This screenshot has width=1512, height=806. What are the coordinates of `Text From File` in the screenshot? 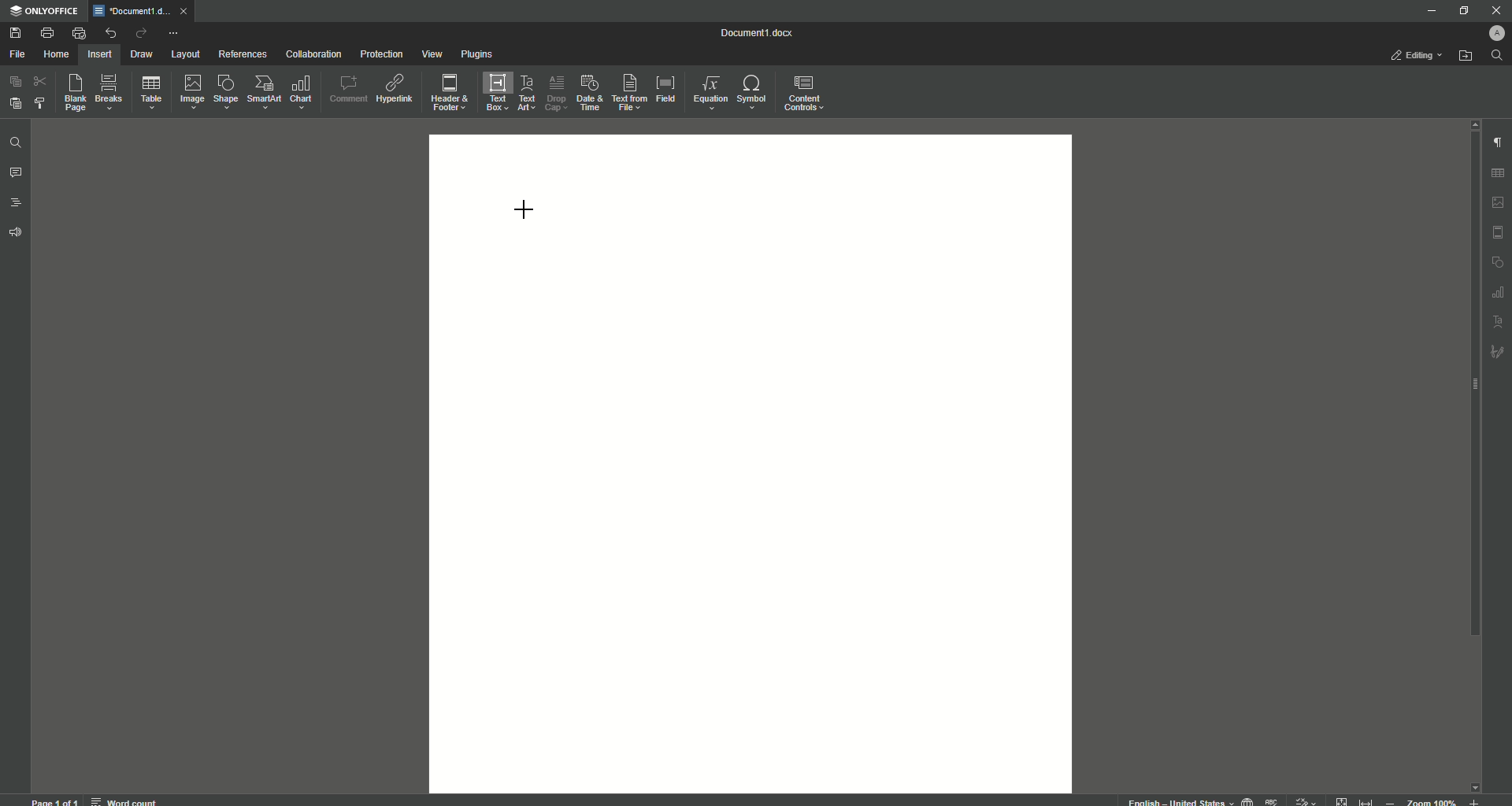 It's located at (627, 91).